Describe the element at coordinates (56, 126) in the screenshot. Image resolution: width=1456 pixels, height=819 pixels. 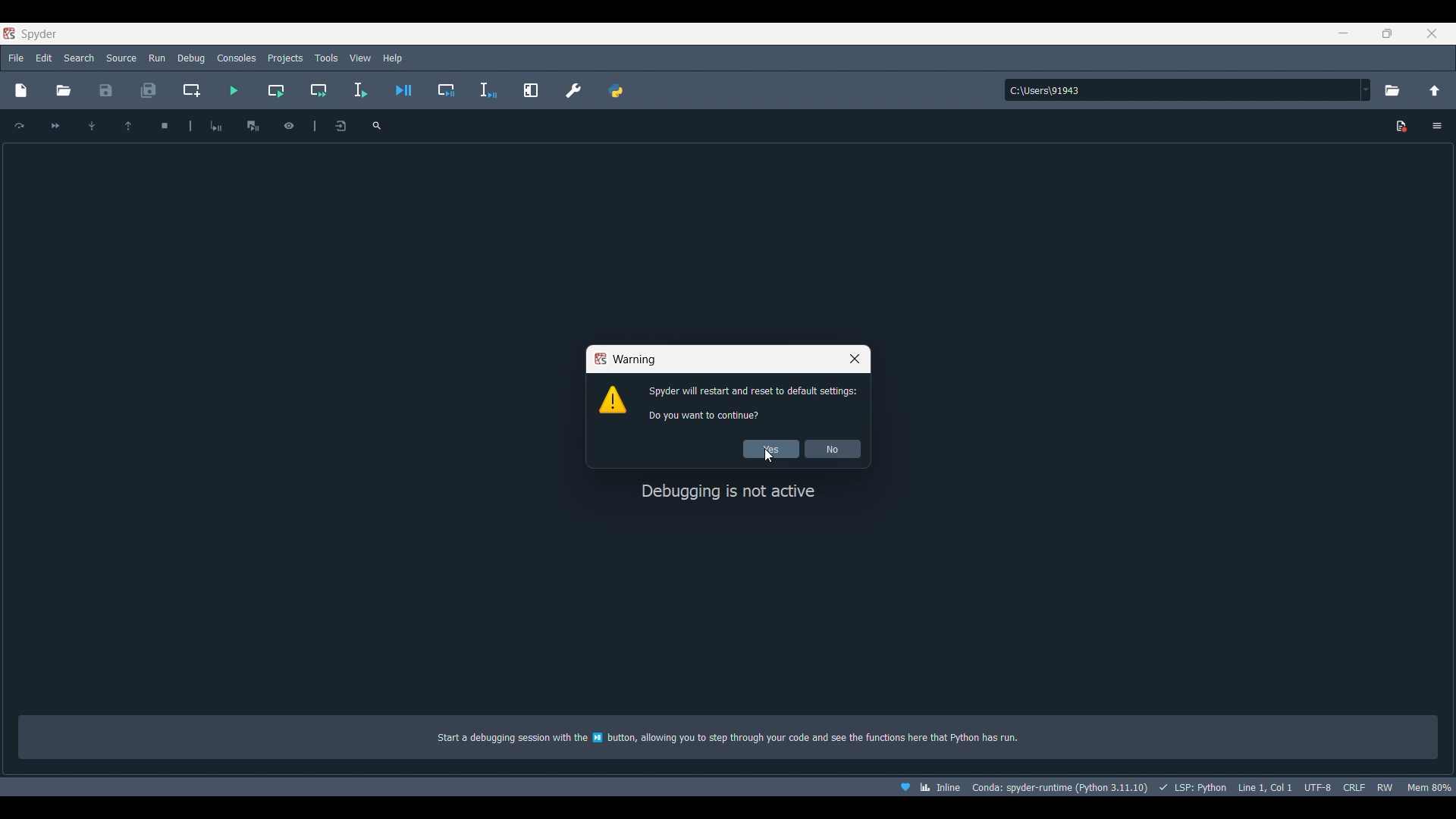
I see `forward` at that location.